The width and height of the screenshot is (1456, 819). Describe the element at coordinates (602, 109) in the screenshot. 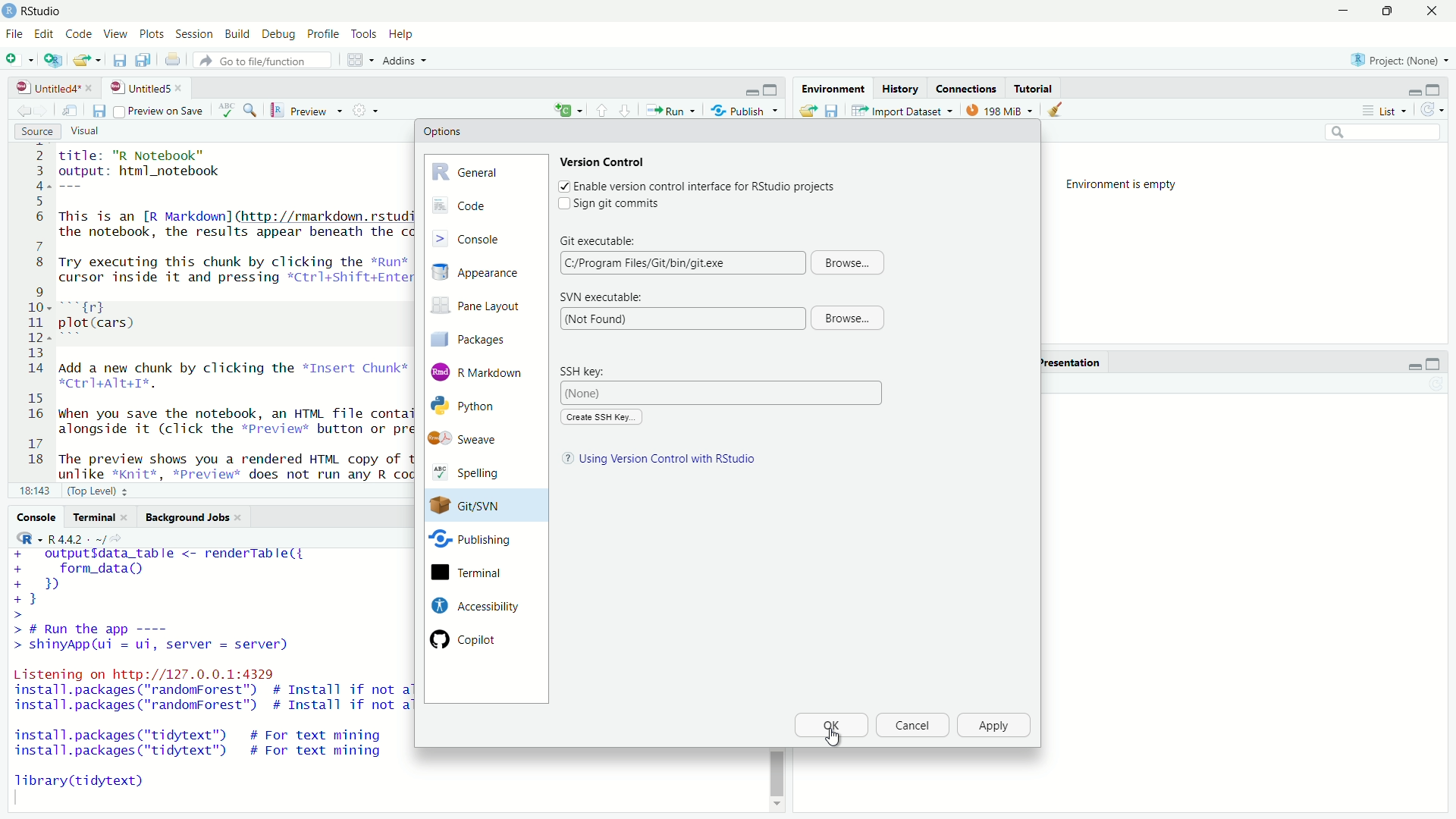

I see `down` at that location.